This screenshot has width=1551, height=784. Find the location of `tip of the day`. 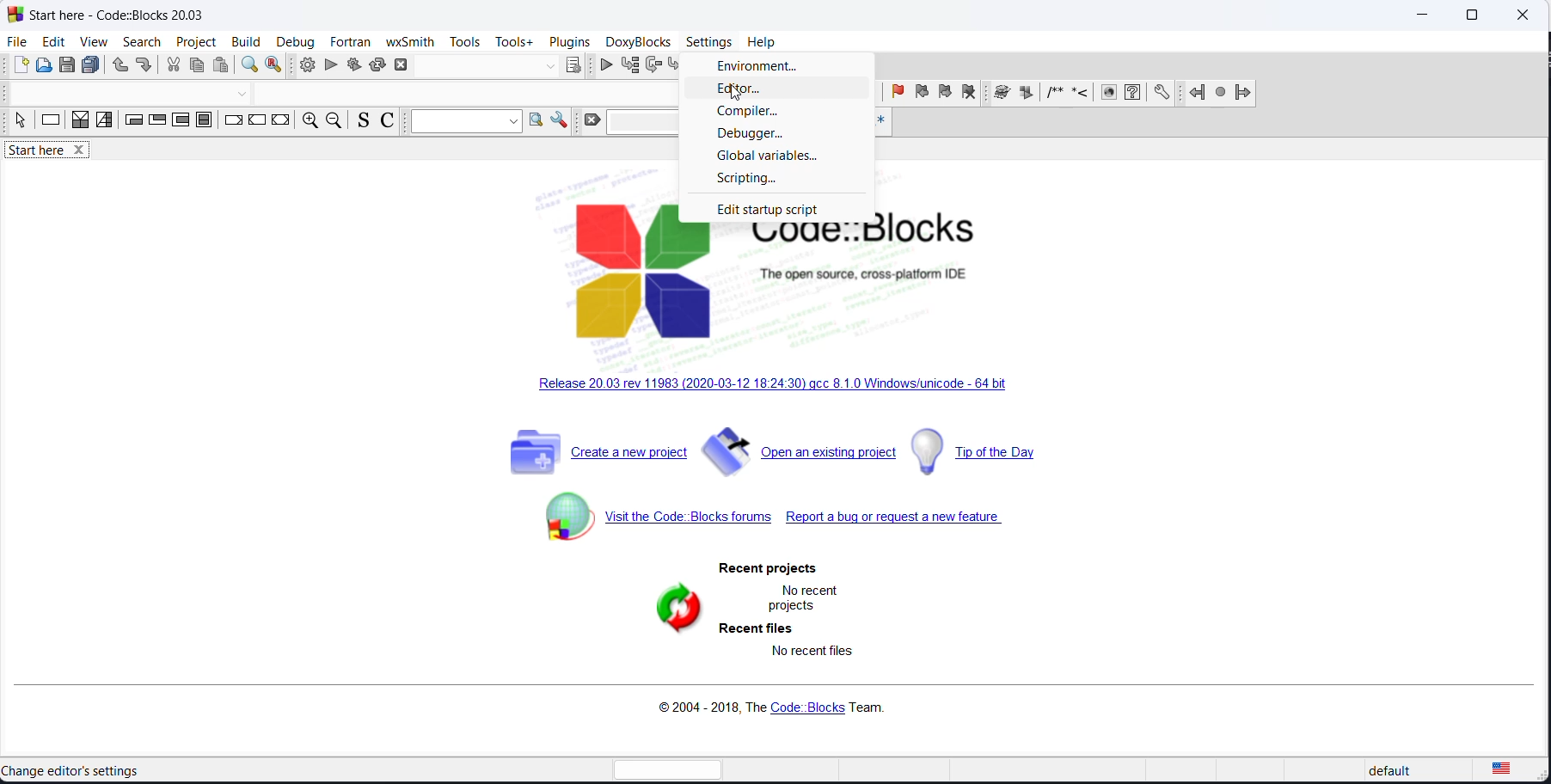

tip of the day is located at coordinates (994, 454).